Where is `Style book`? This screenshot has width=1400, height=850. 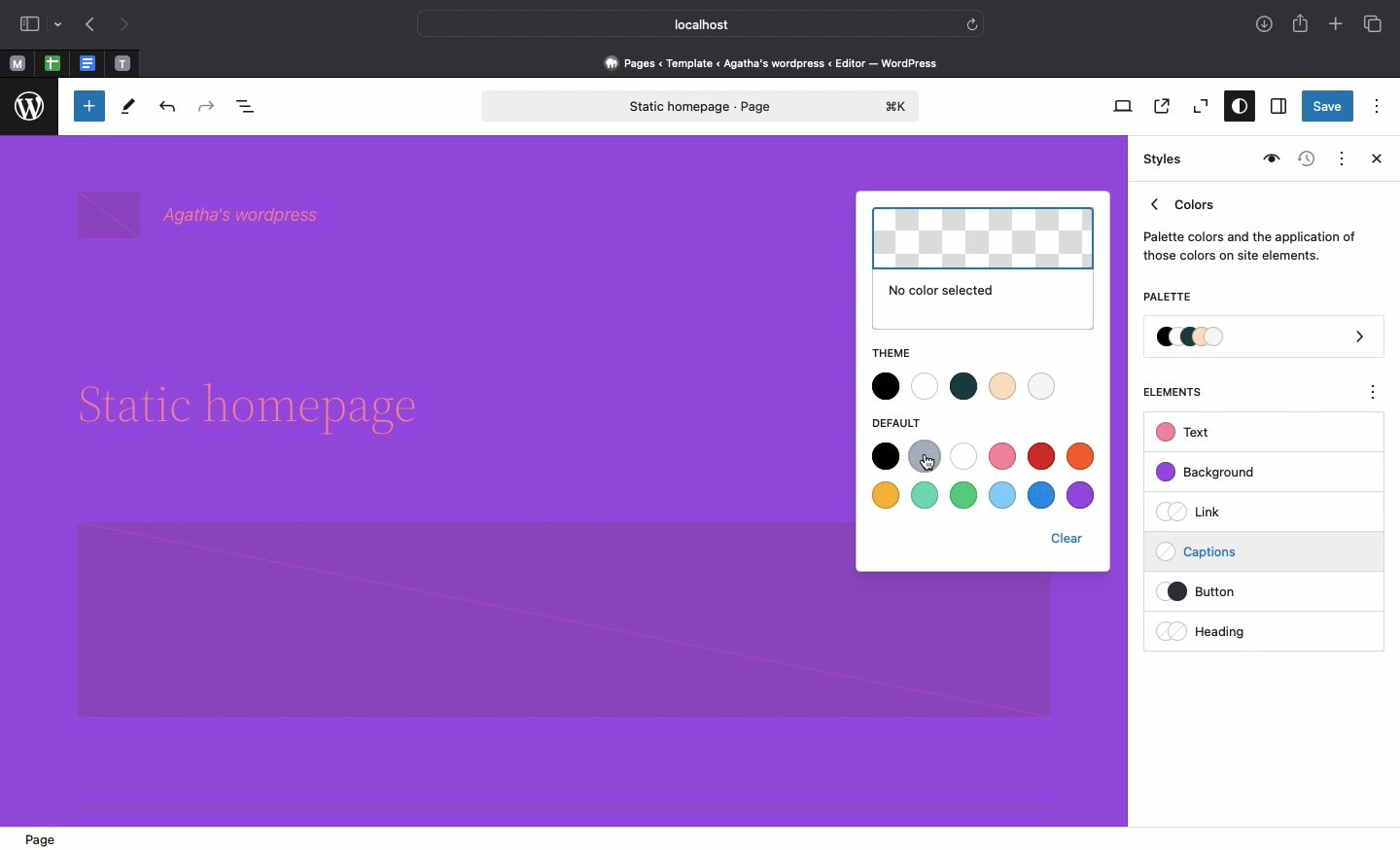 Style book is located at coordinates (1269, 159).